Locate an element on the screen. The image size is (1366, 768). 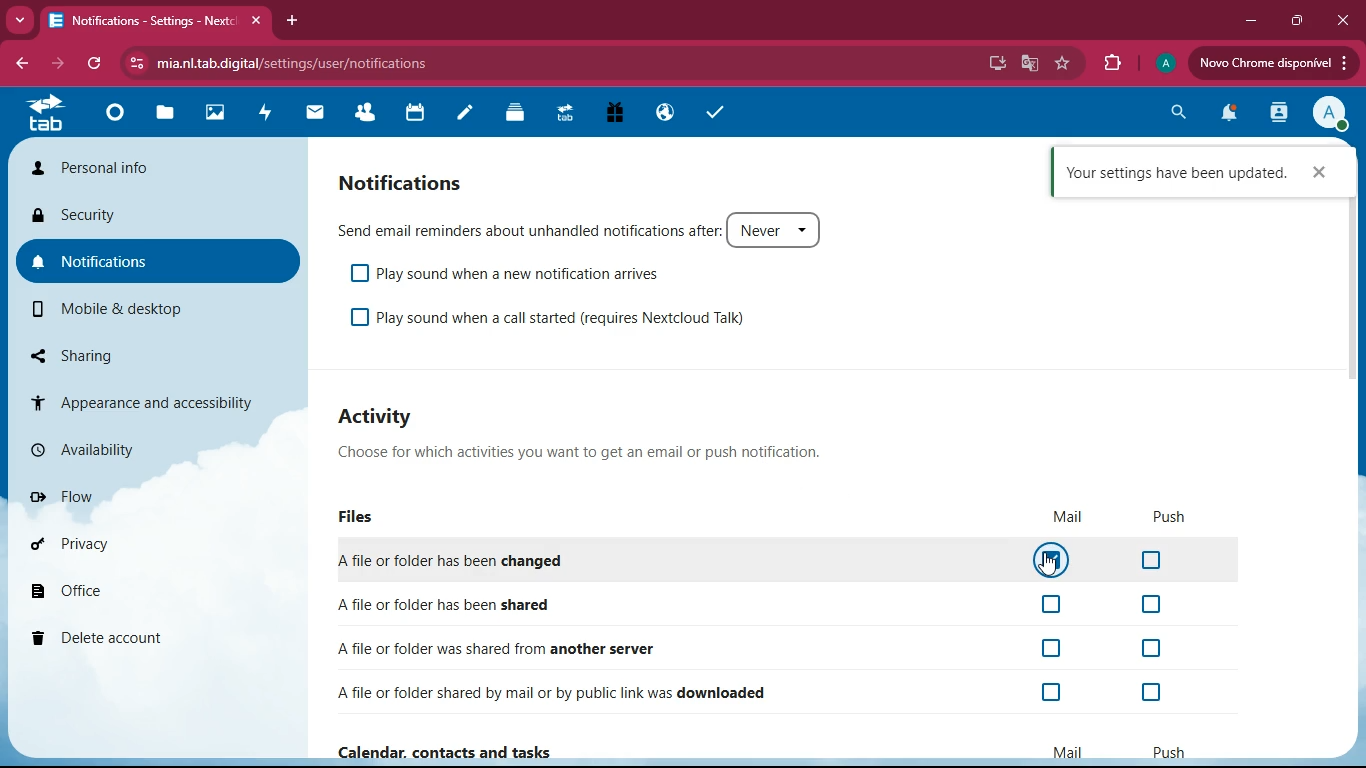
update is located at coordinates (1271, 63).